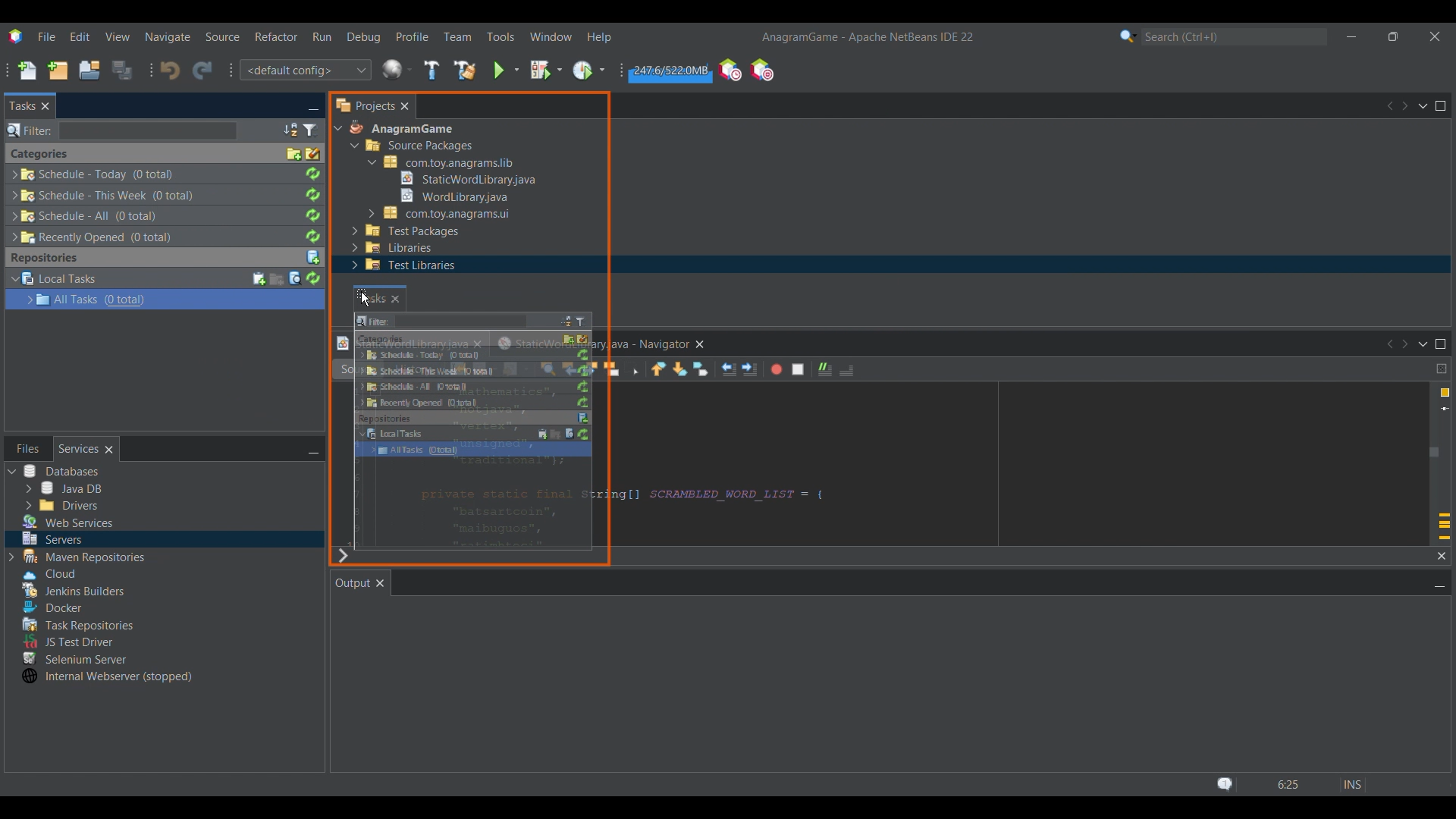  I want to click on , so click(70, 641).